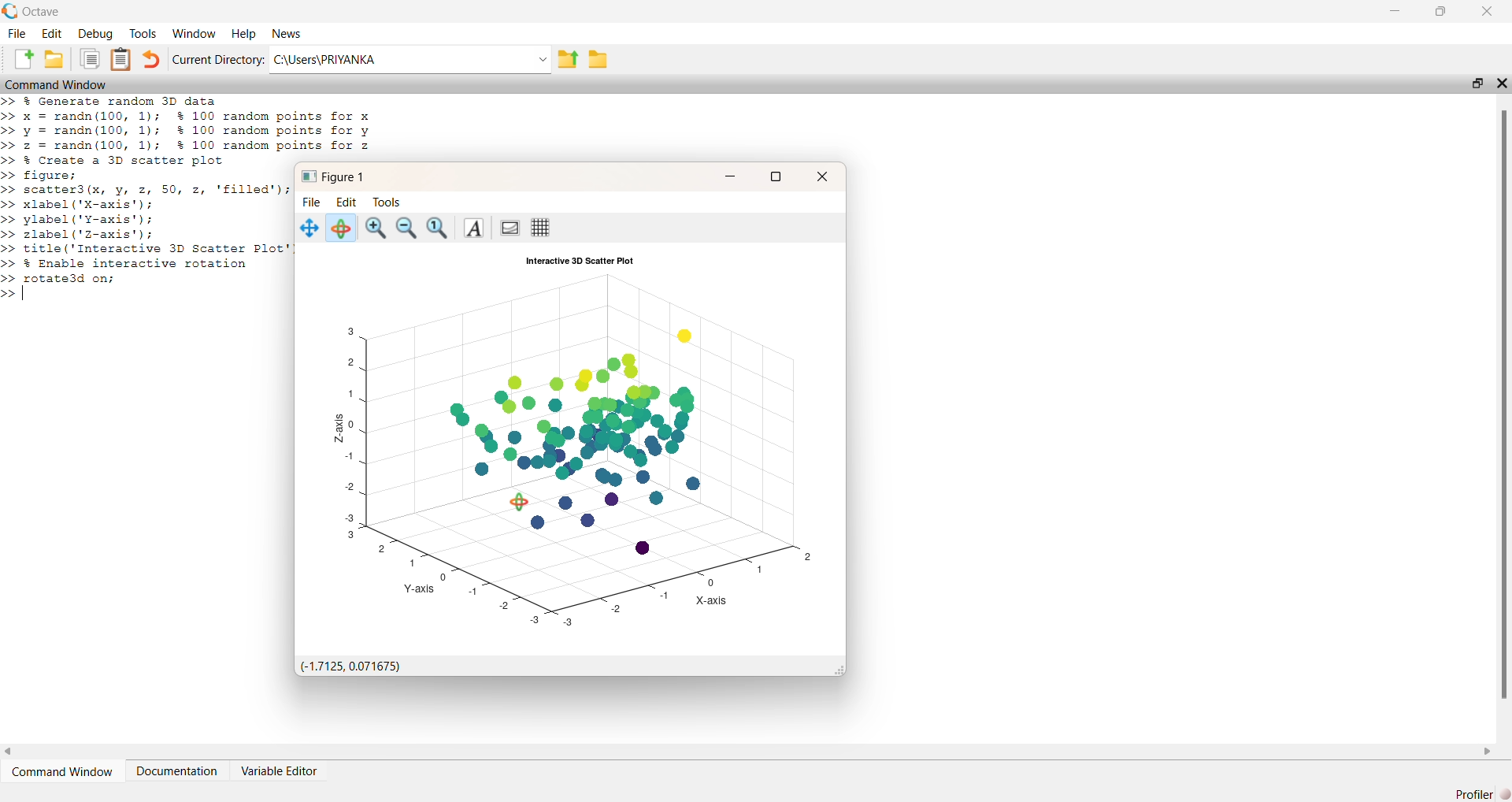 The image size is (1512, 802). Describe the element at coordinates (580, 261) in the screenshot. I see `Interactive 3D Scatter Plot` at that location.